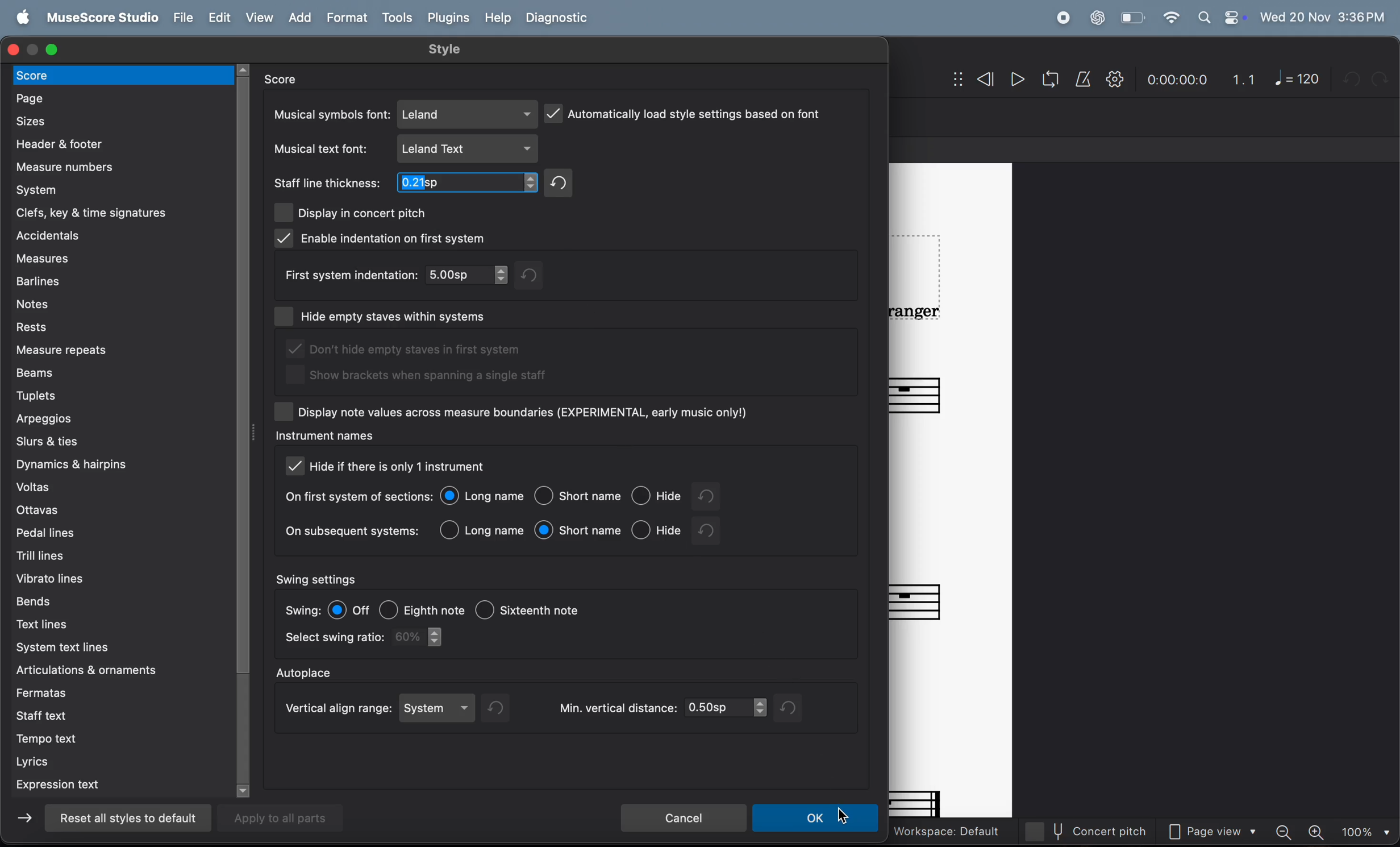  What do you see at coordinates (124, 74) in the screenshot?
I see `score` at bounding box center [124, 74].